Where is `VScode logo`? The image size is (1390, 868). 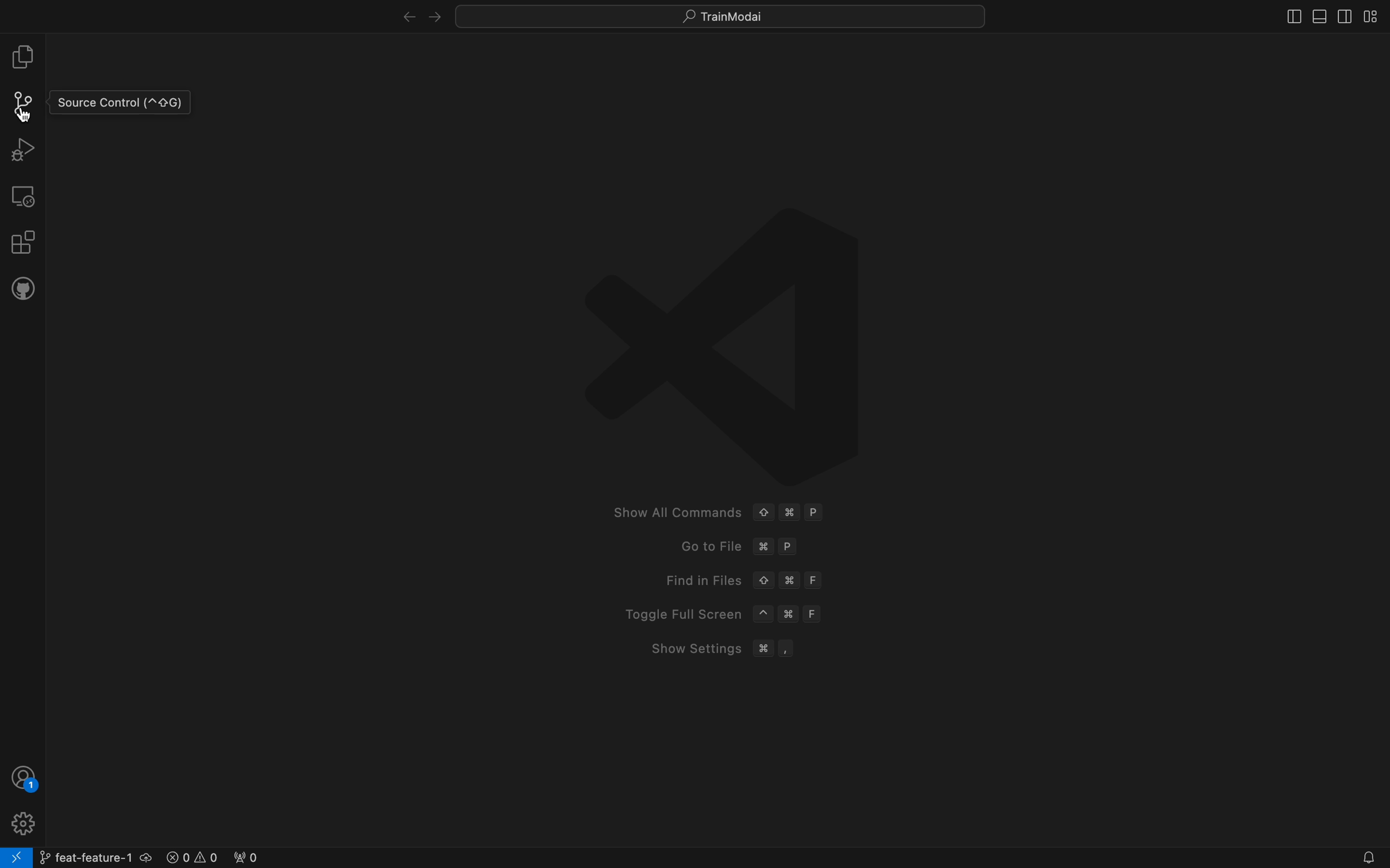
VScode logo is located at coordinates (725, 334).